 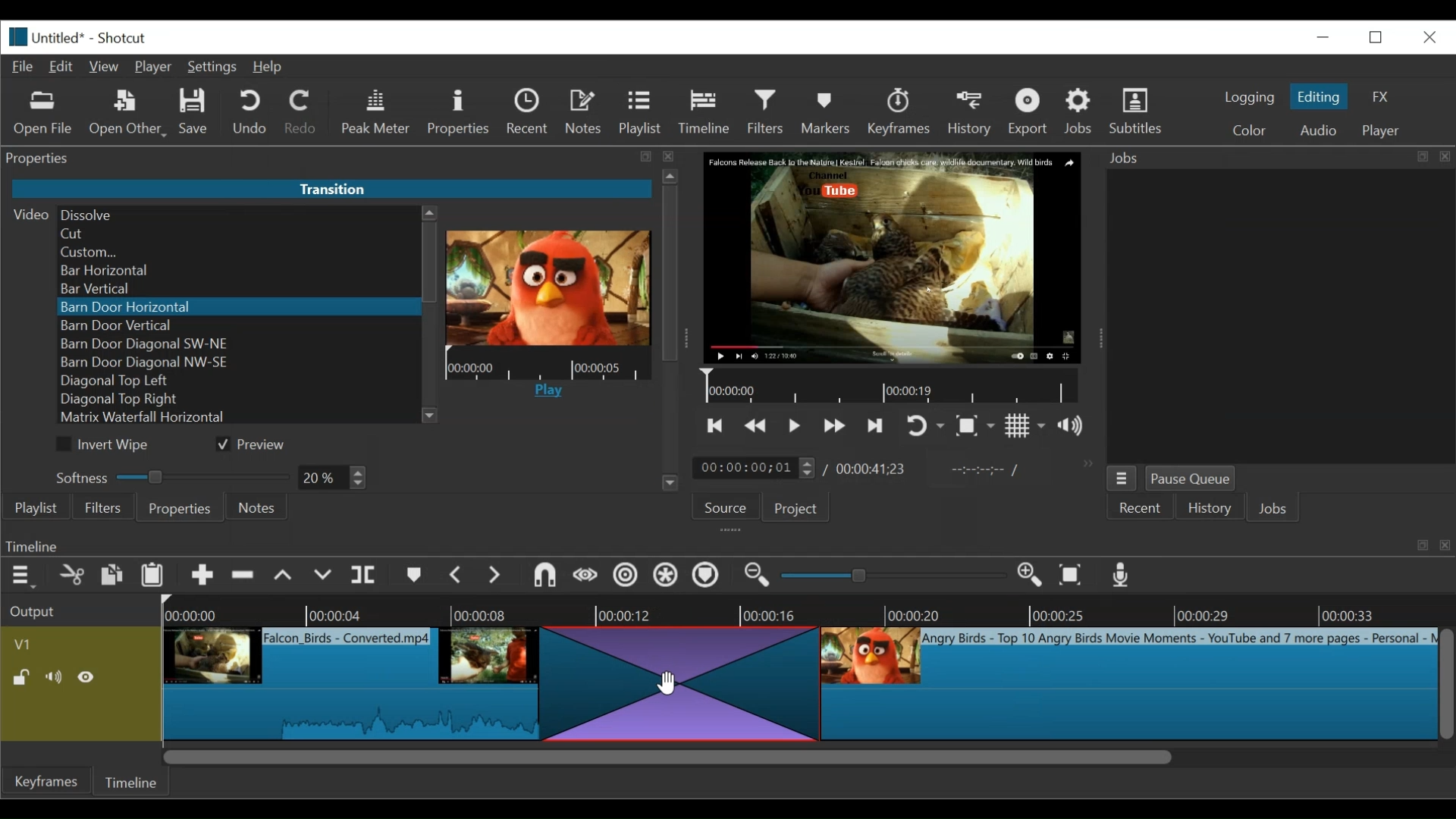 I want to click on Video track name, so click(x=79, y=642).